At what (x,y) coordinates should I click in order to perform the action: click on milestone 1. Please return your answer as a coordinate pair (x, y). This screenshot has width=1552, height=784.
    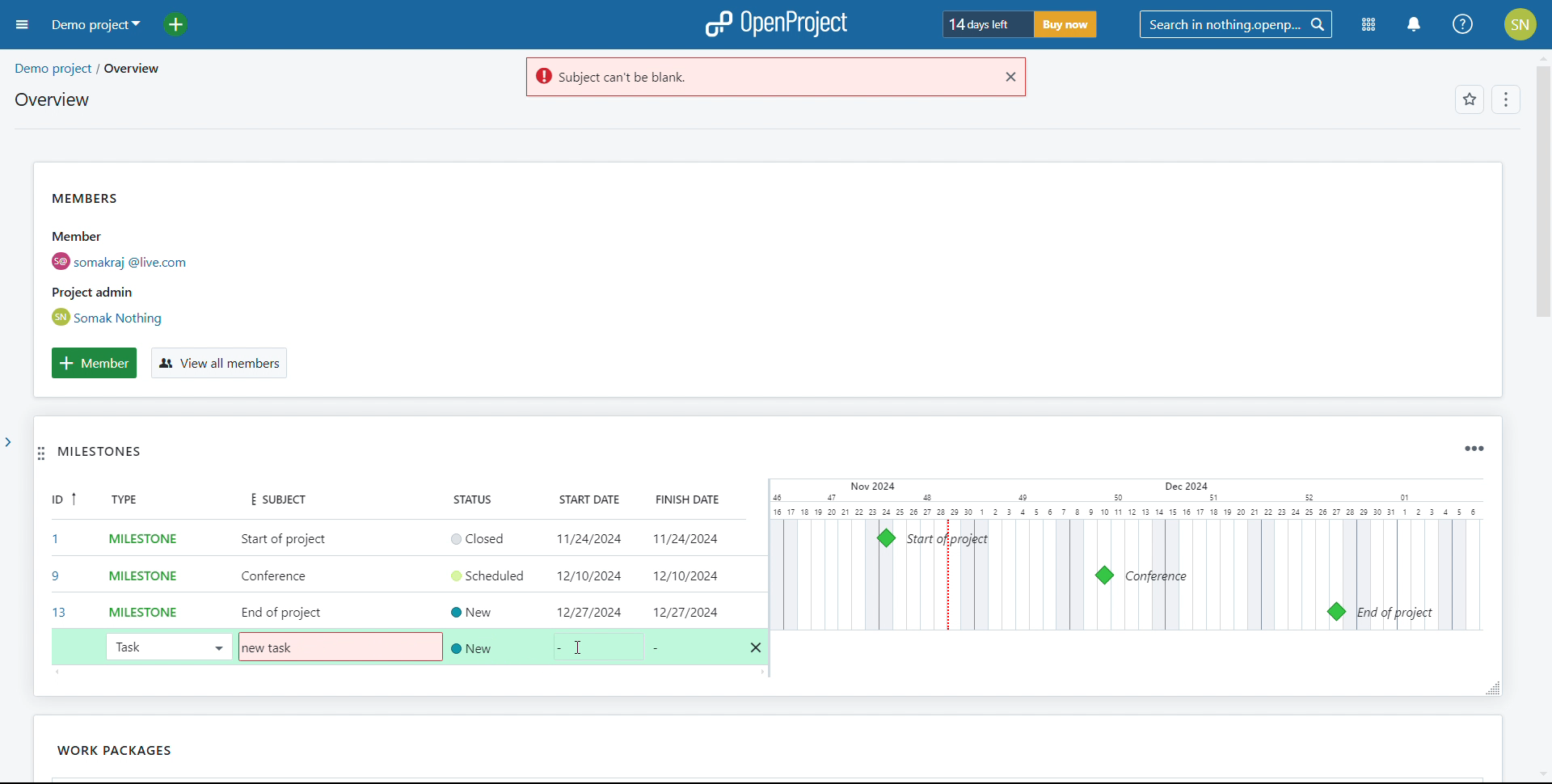
    Looking at the image, I should click on (886, 538).